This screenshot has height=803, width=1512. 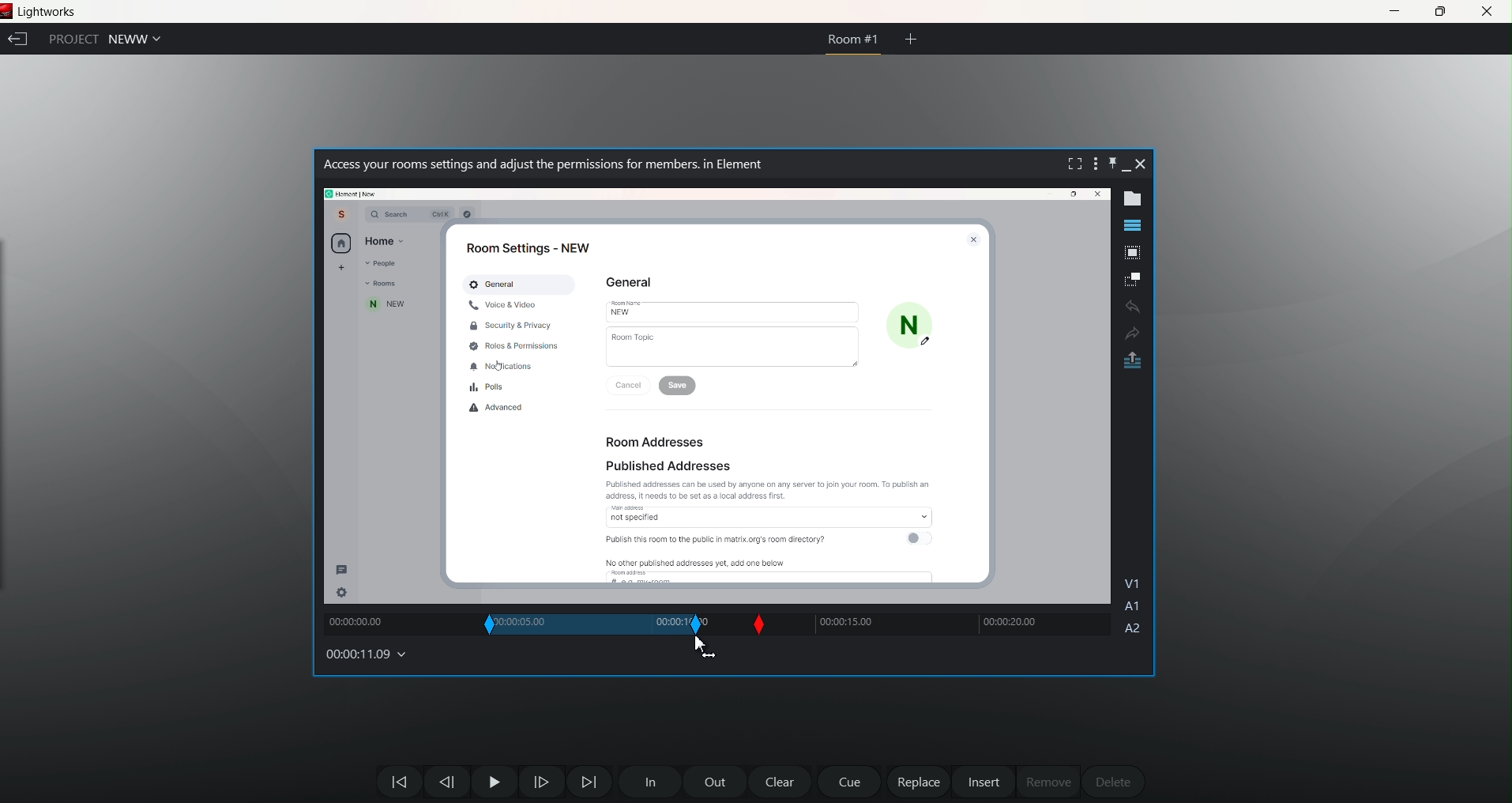 I want to click on Account, so click(x=341, y=215).